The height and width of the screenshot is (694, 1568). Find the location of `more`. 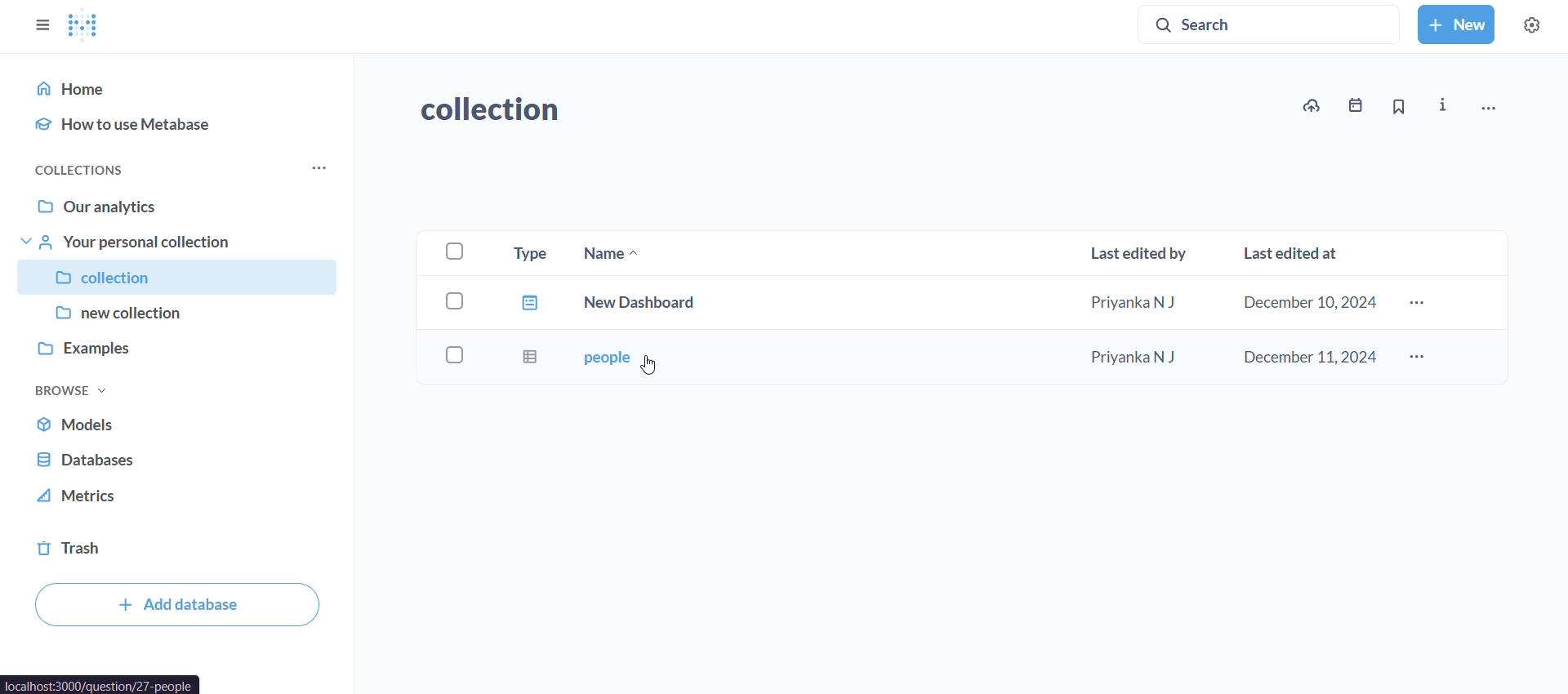

more is located at coordinates (1422, 305).